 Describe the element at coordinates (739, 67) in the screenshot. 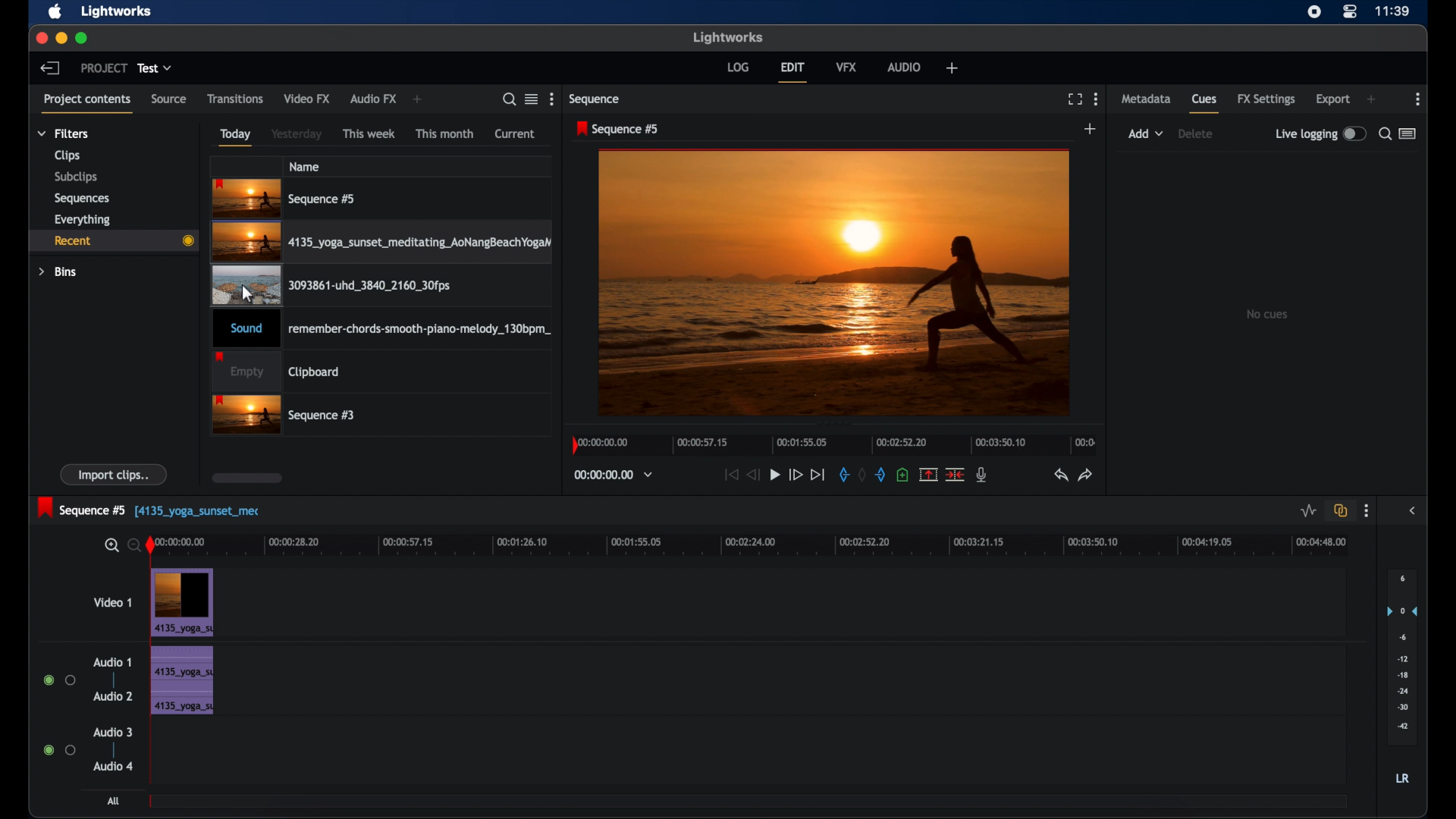

I see `log` at that location.